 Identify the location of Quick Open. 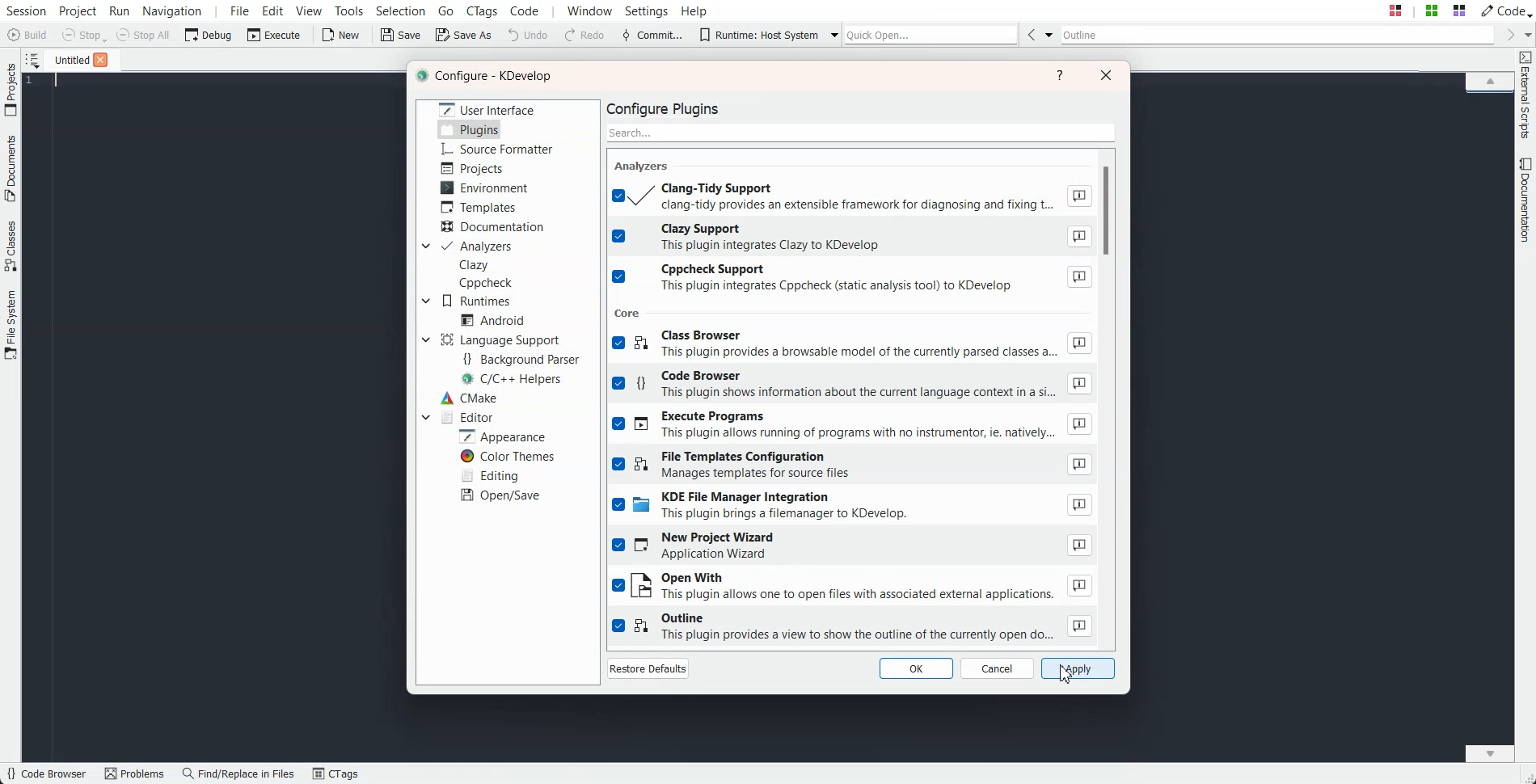
(1427, 11).